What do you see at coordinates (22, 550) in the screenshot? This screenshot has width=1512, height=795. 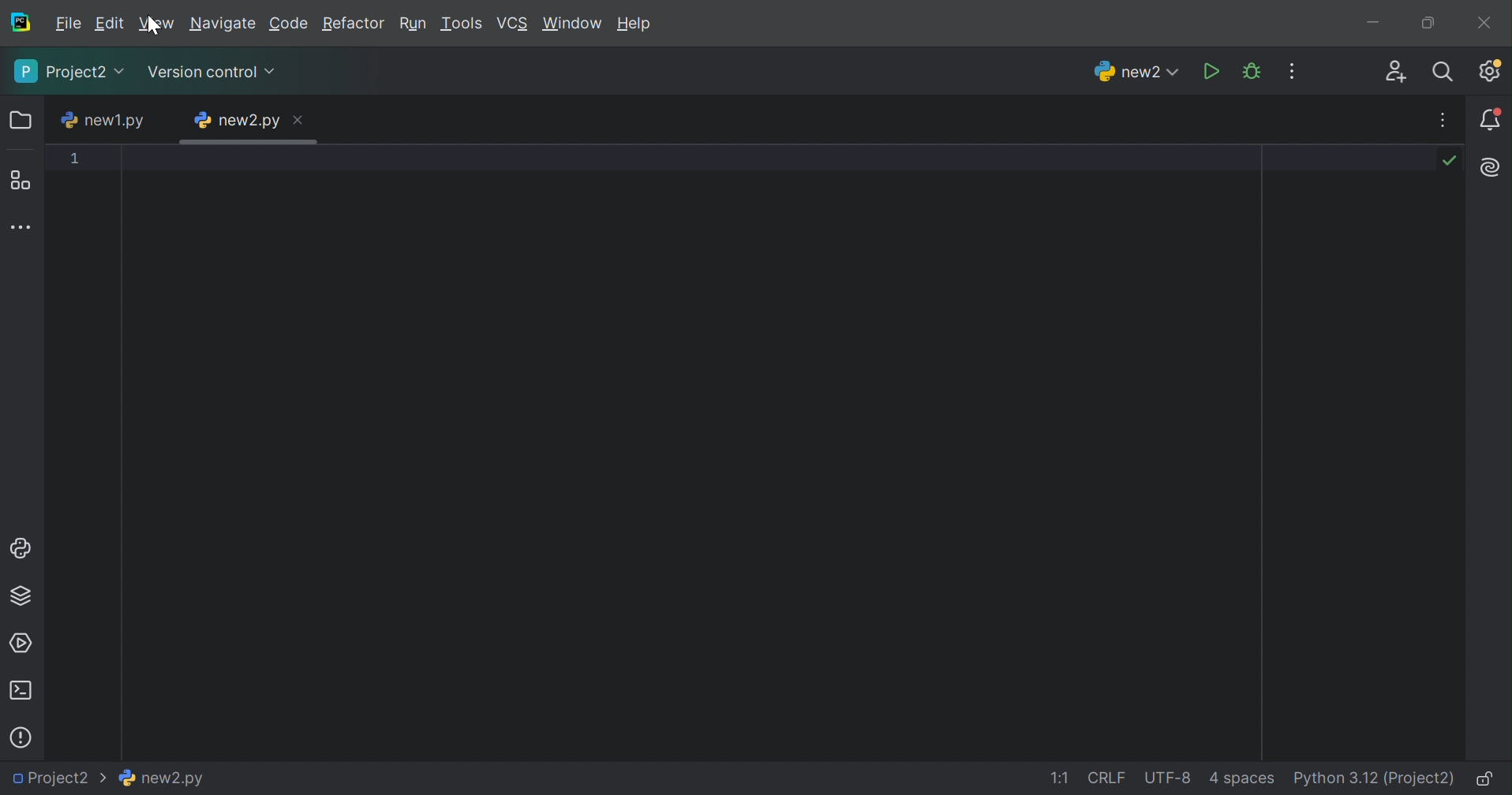 I see `Python Console` at bounding box center [22, 550].